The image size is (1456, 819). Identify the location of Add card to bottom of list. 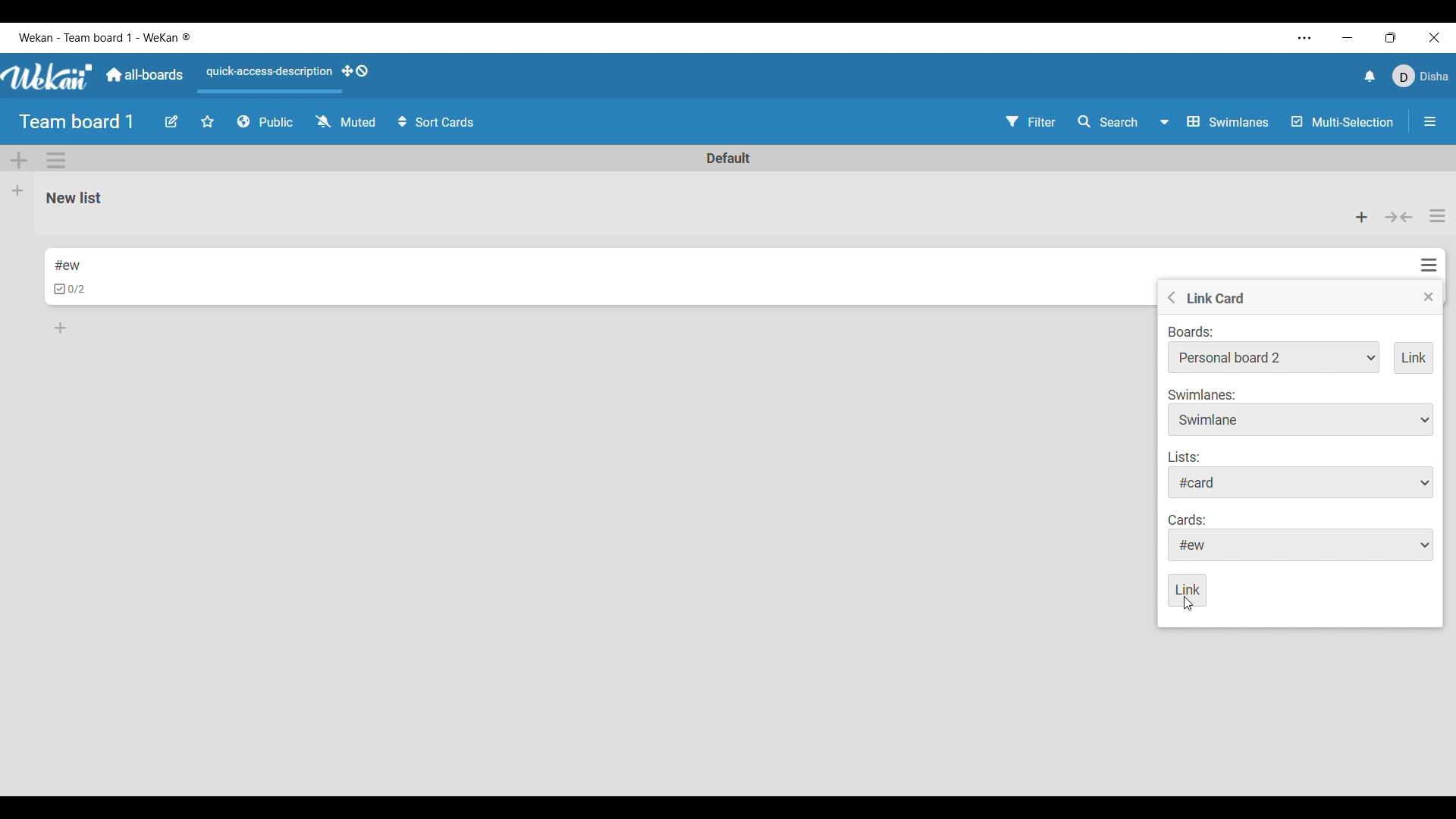
(61, 328).